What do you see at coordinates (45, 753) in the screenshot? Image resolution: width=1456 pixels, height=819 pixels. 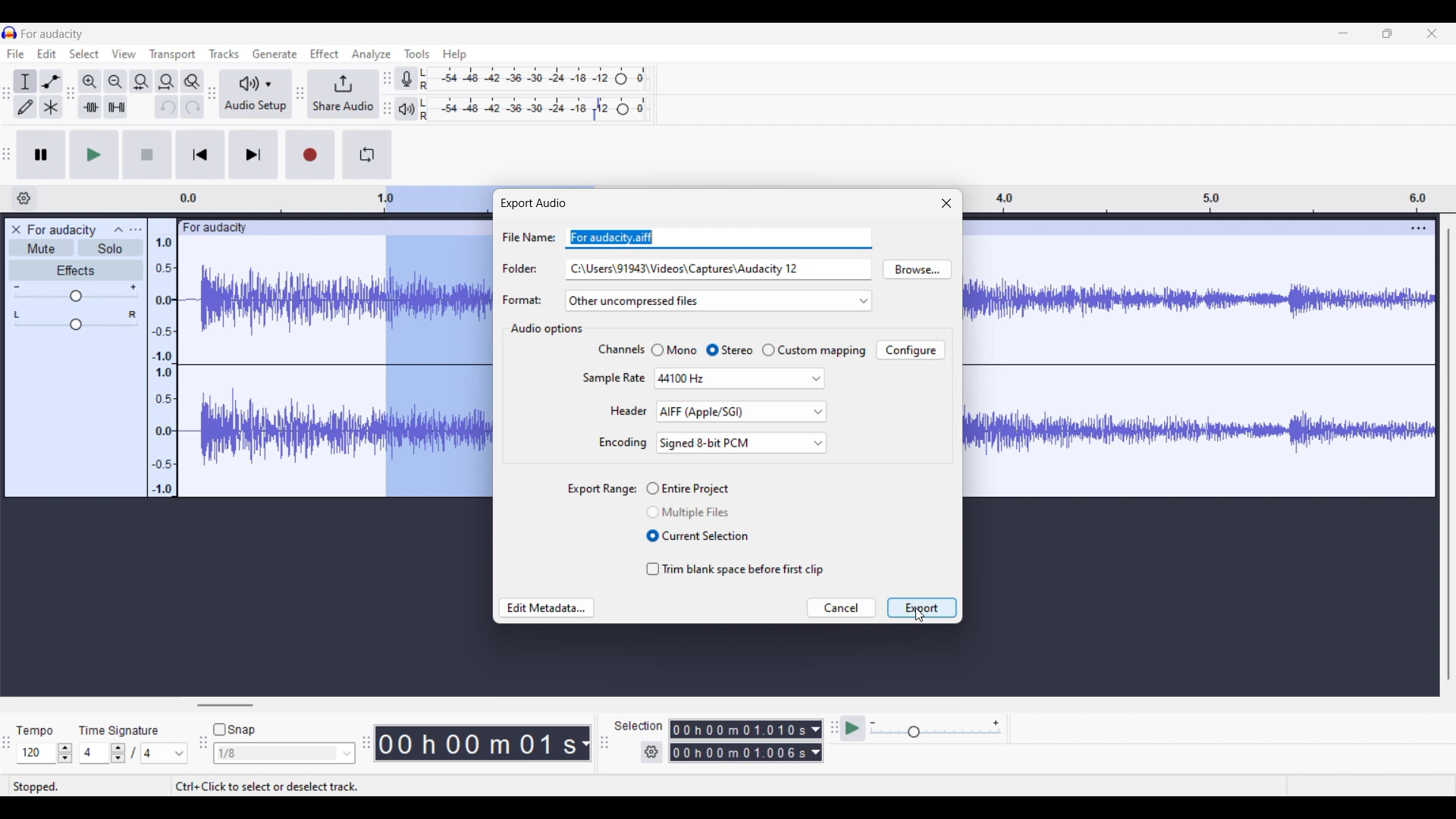 I see `Tempo settings` at bounding box center [45, 753].